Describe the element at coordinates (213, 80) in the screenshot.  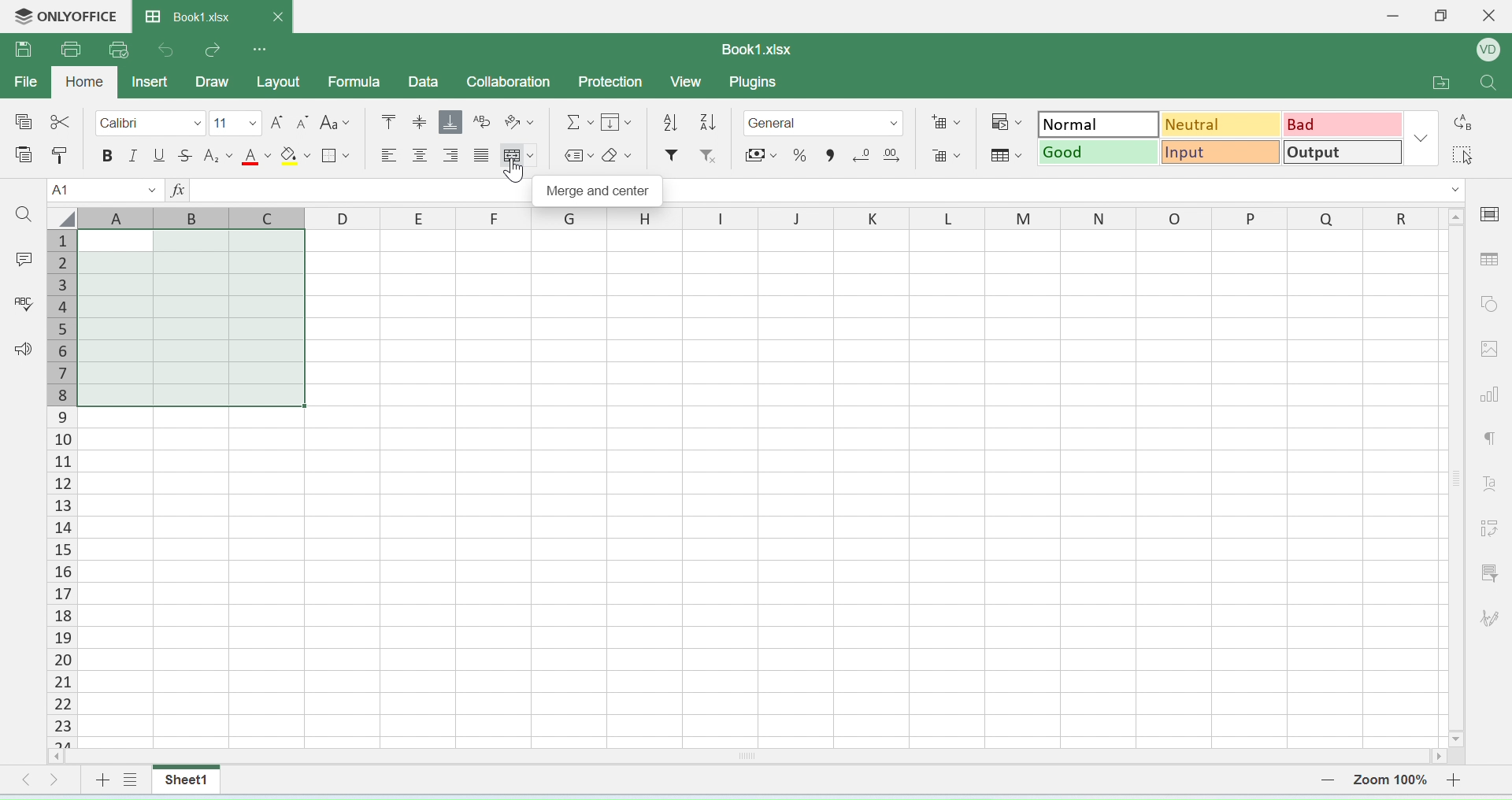
I see `draw` at that location.